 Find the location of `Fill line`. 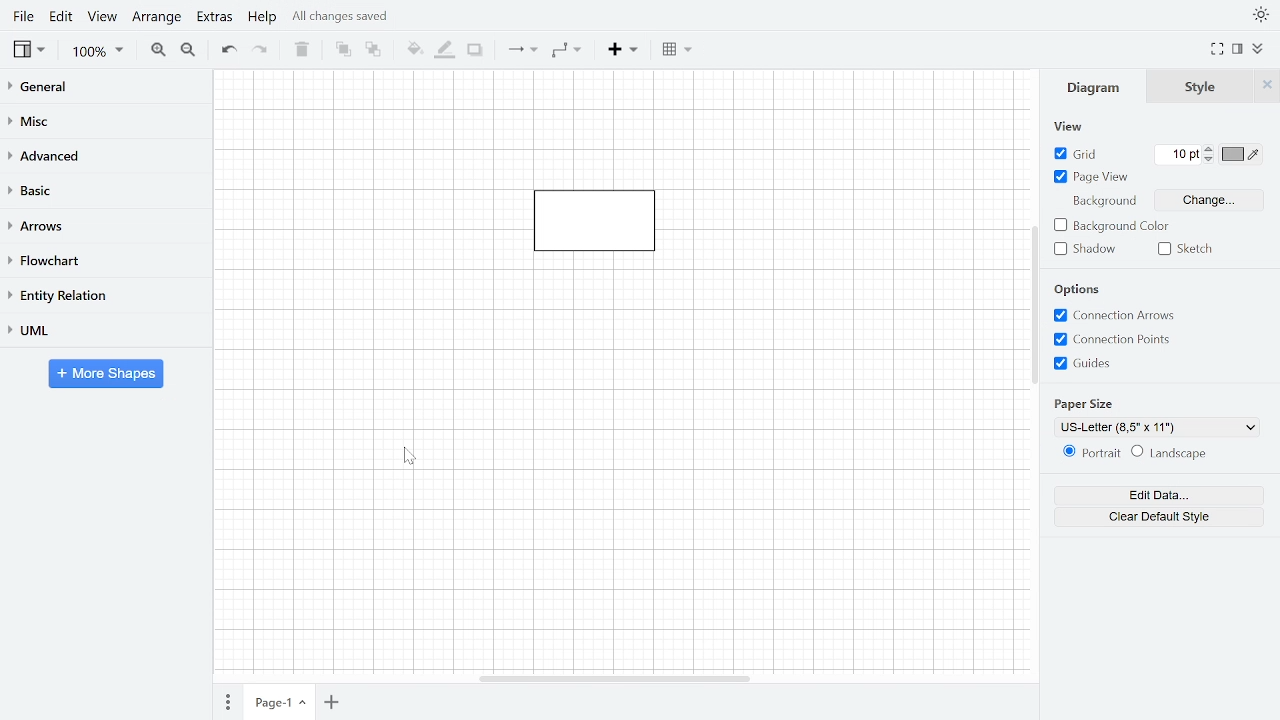

Fill line is located at coordinates (446, 51).